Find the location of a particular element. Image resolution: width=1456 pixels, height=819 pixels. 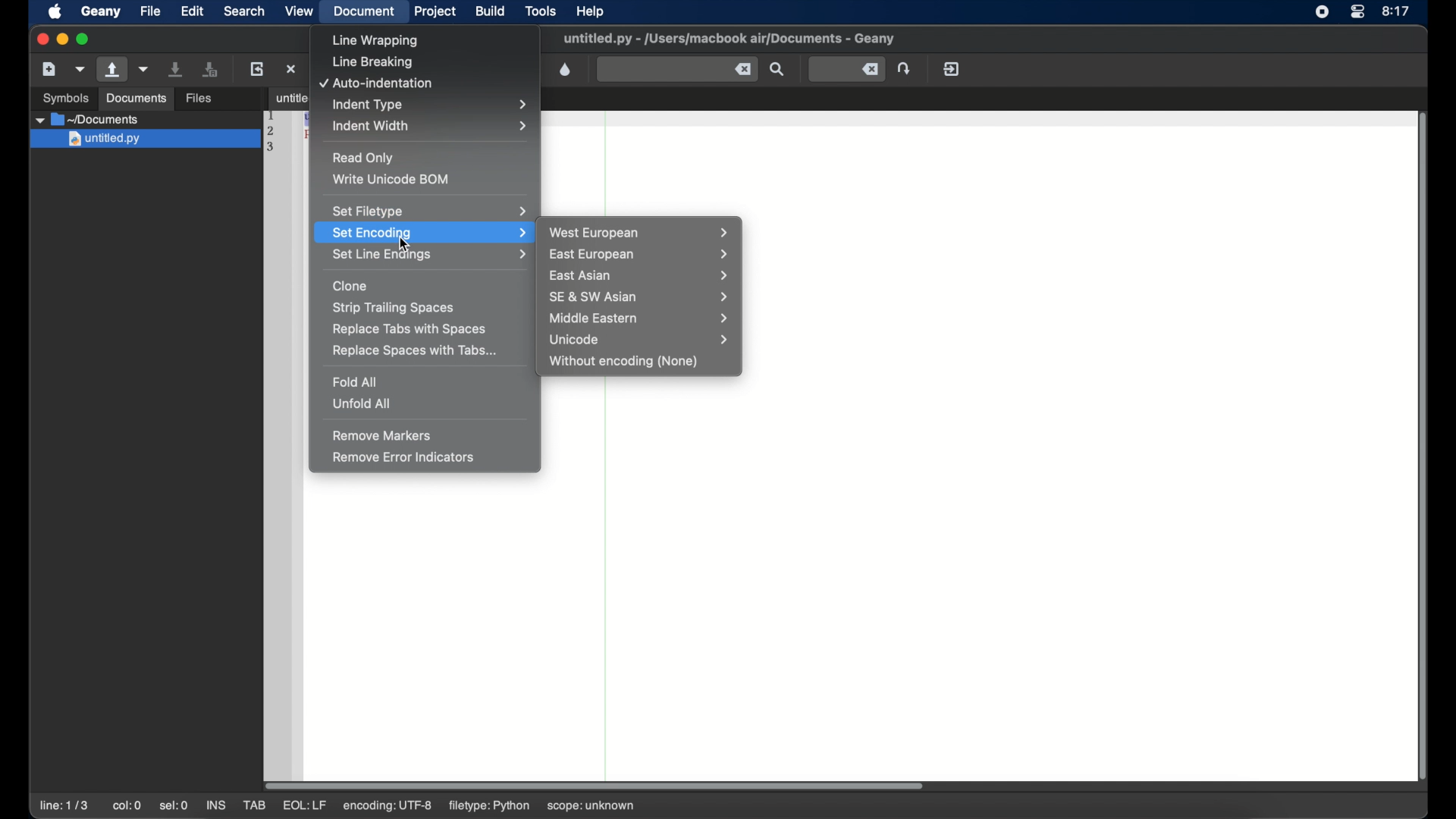

maximize is located at coordinates (85, 39).